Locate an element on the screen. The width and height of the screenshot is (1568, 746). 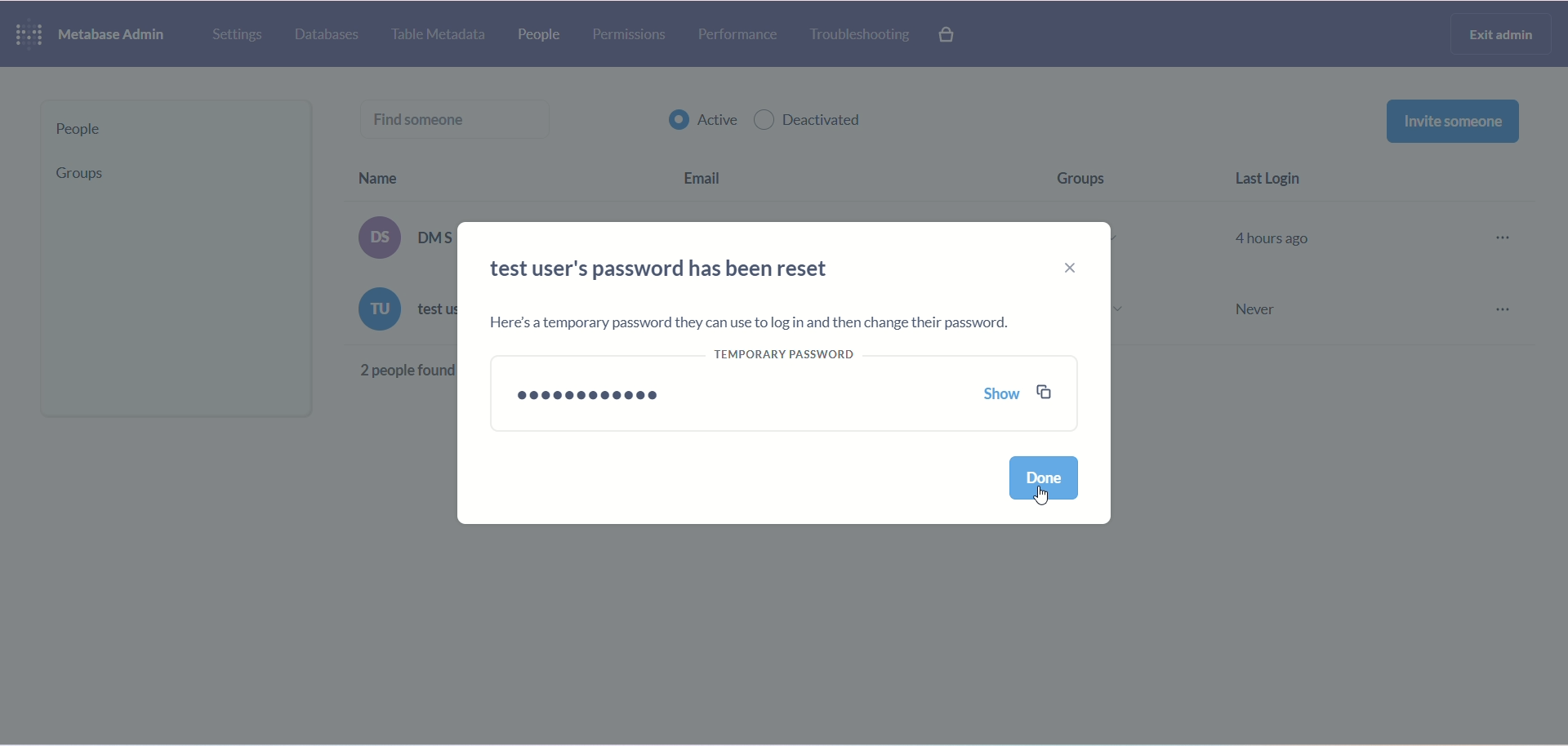
4 hours ago is located at coordinates (1279, 237).